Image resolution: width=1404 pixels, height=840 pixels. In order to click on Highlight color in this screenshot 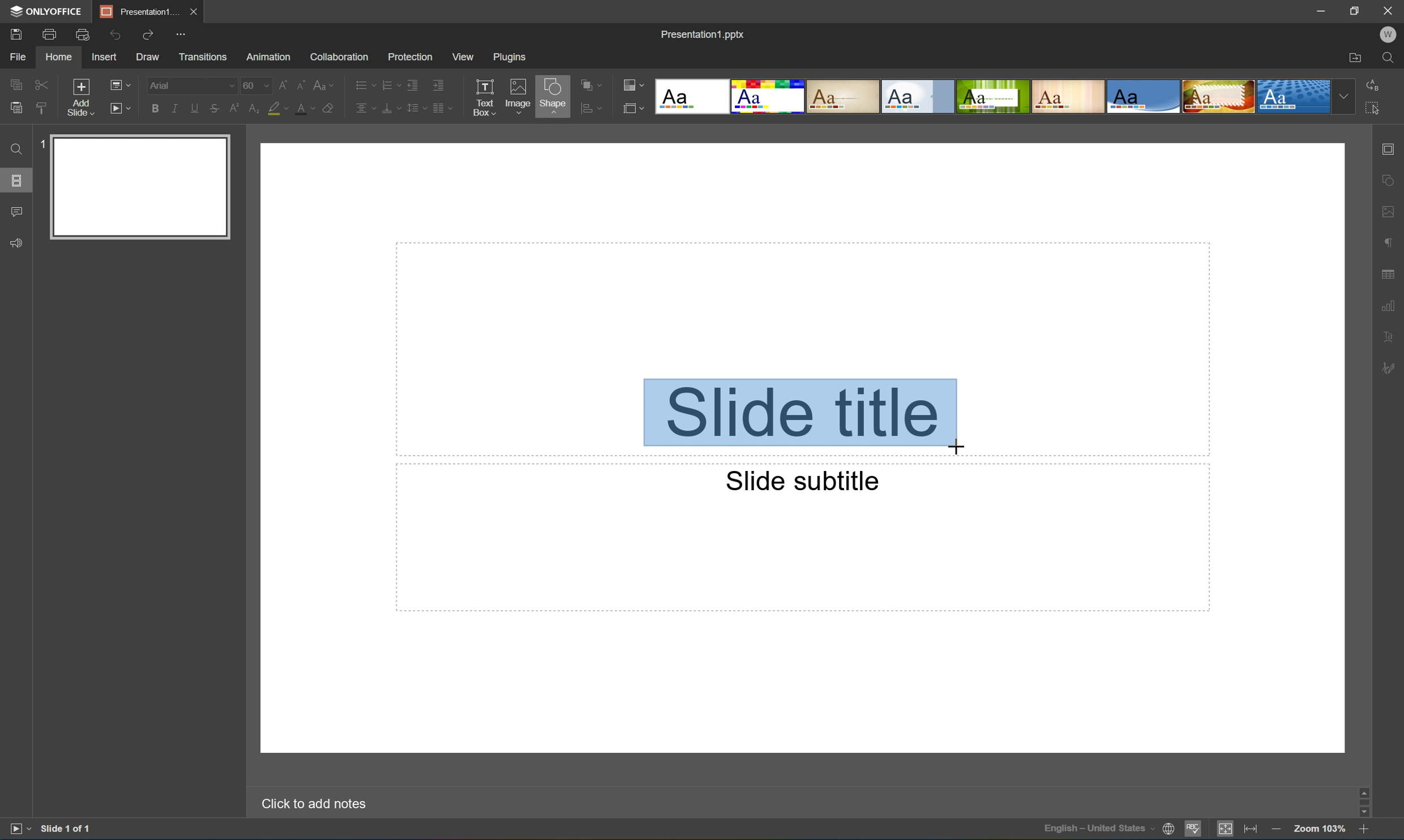, I will do `click(282, 109)`.